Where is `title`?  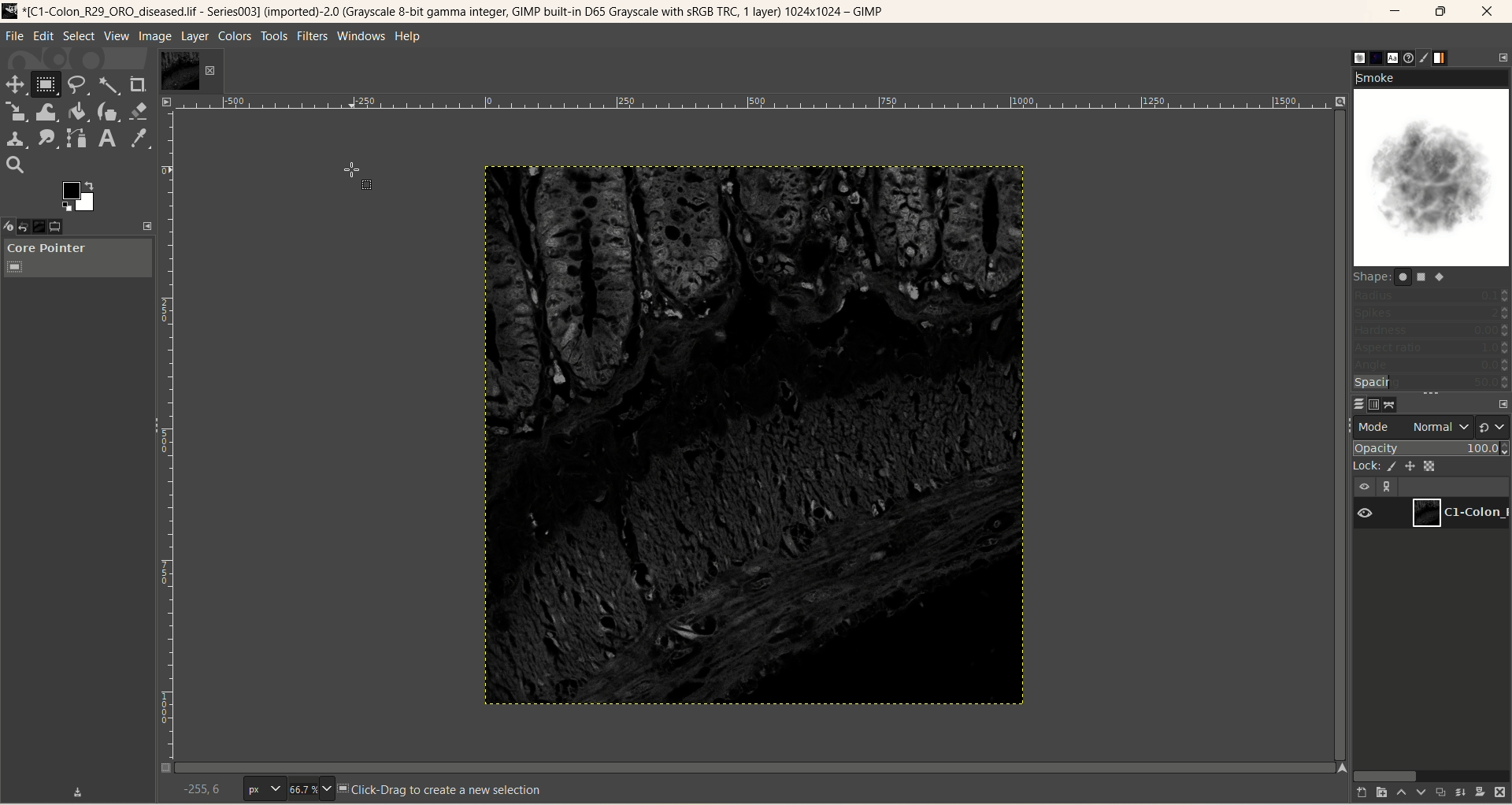
title is located at coordinates (454, 11).